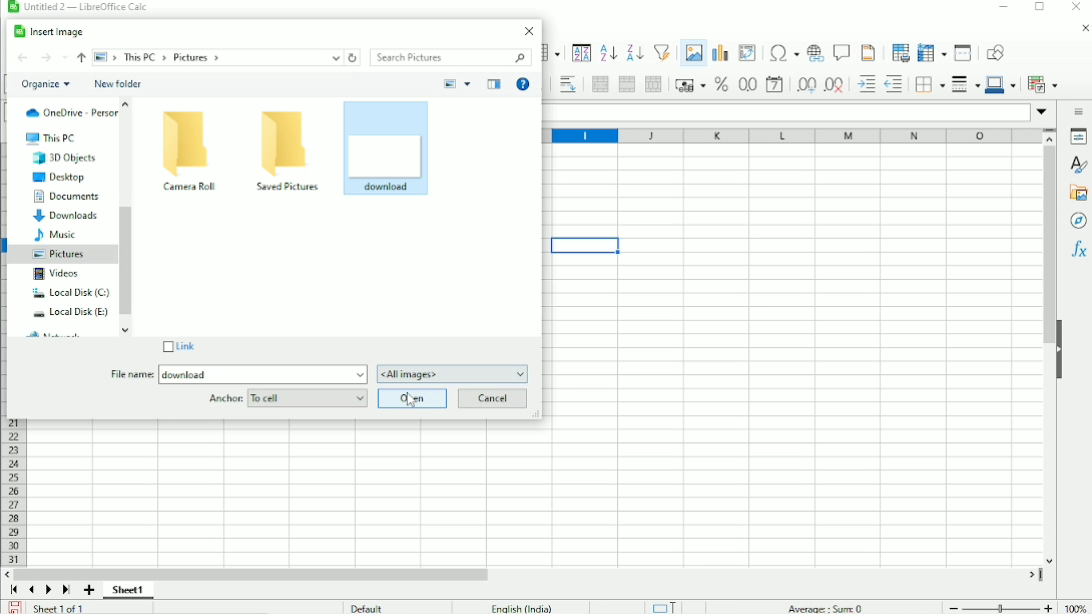 The image size is (1092, 614). Describe the element at coordinates (65, 196) in the screenshot. I see `Documents` at that location.